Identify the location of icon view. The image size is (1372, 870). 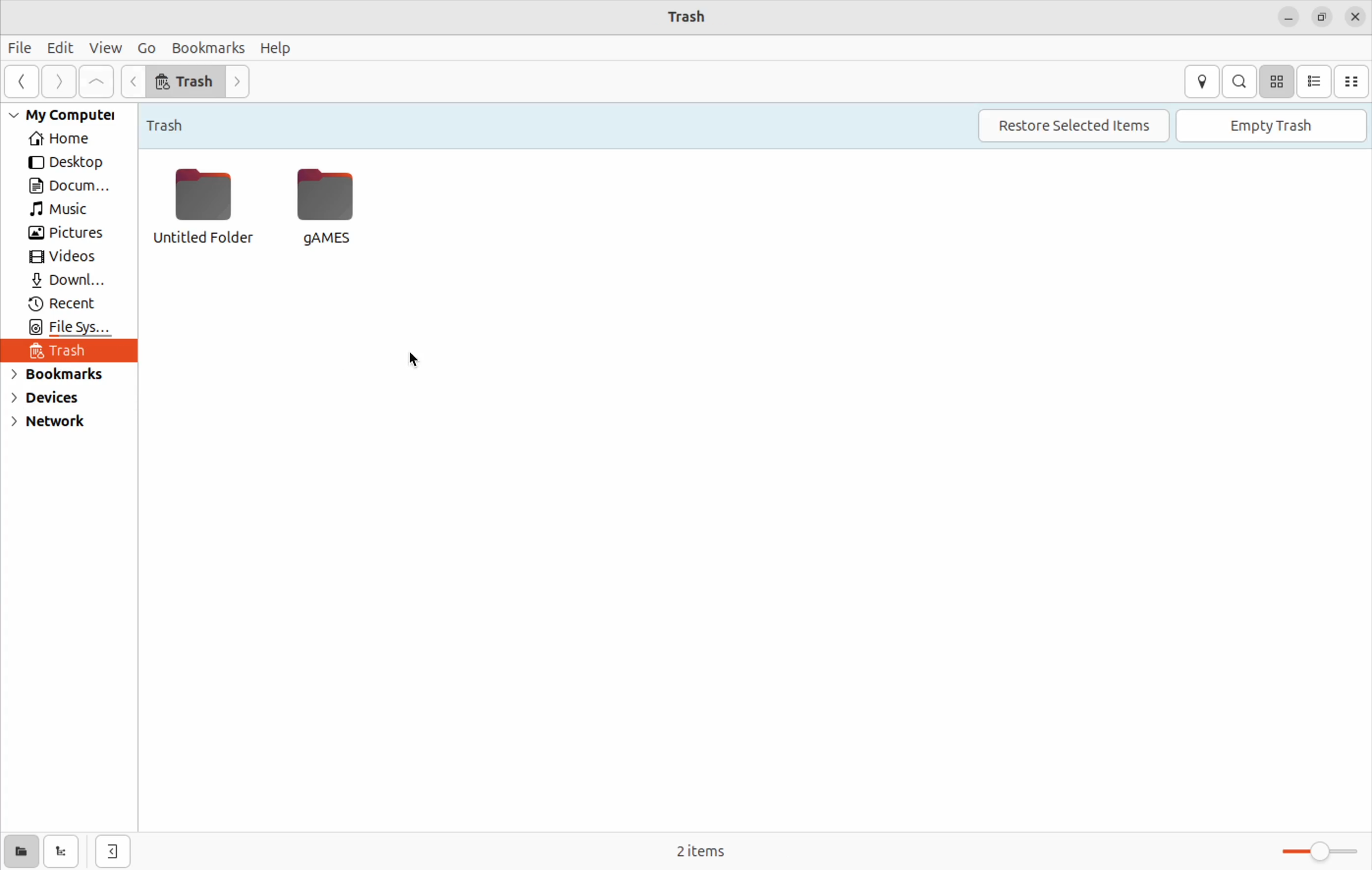
(1275, 83).